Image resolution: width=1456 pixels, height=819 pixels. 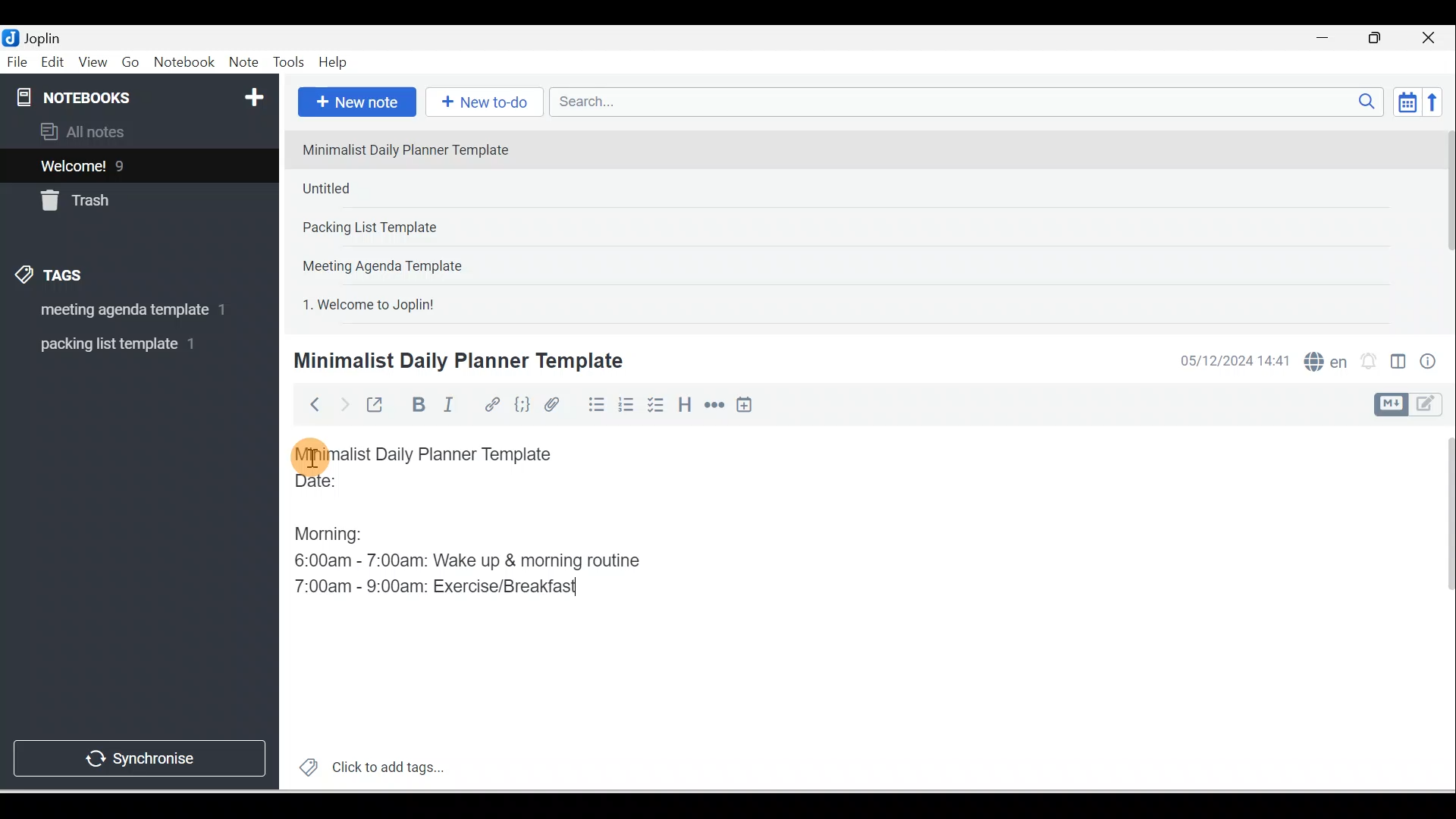 I want to click on Italic, so click(x=451, y=407).